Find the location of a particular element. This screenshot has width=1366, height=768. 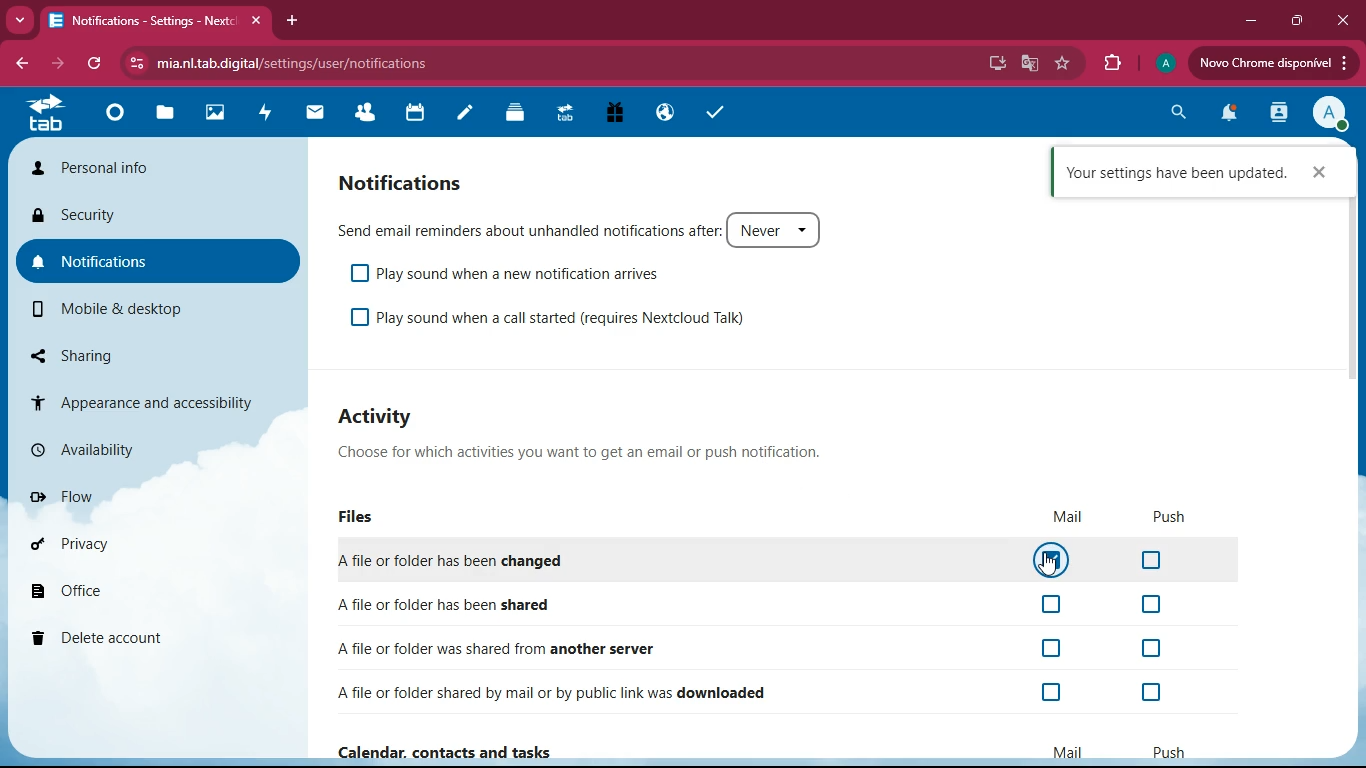

availability is located at coordinates (112, 448).